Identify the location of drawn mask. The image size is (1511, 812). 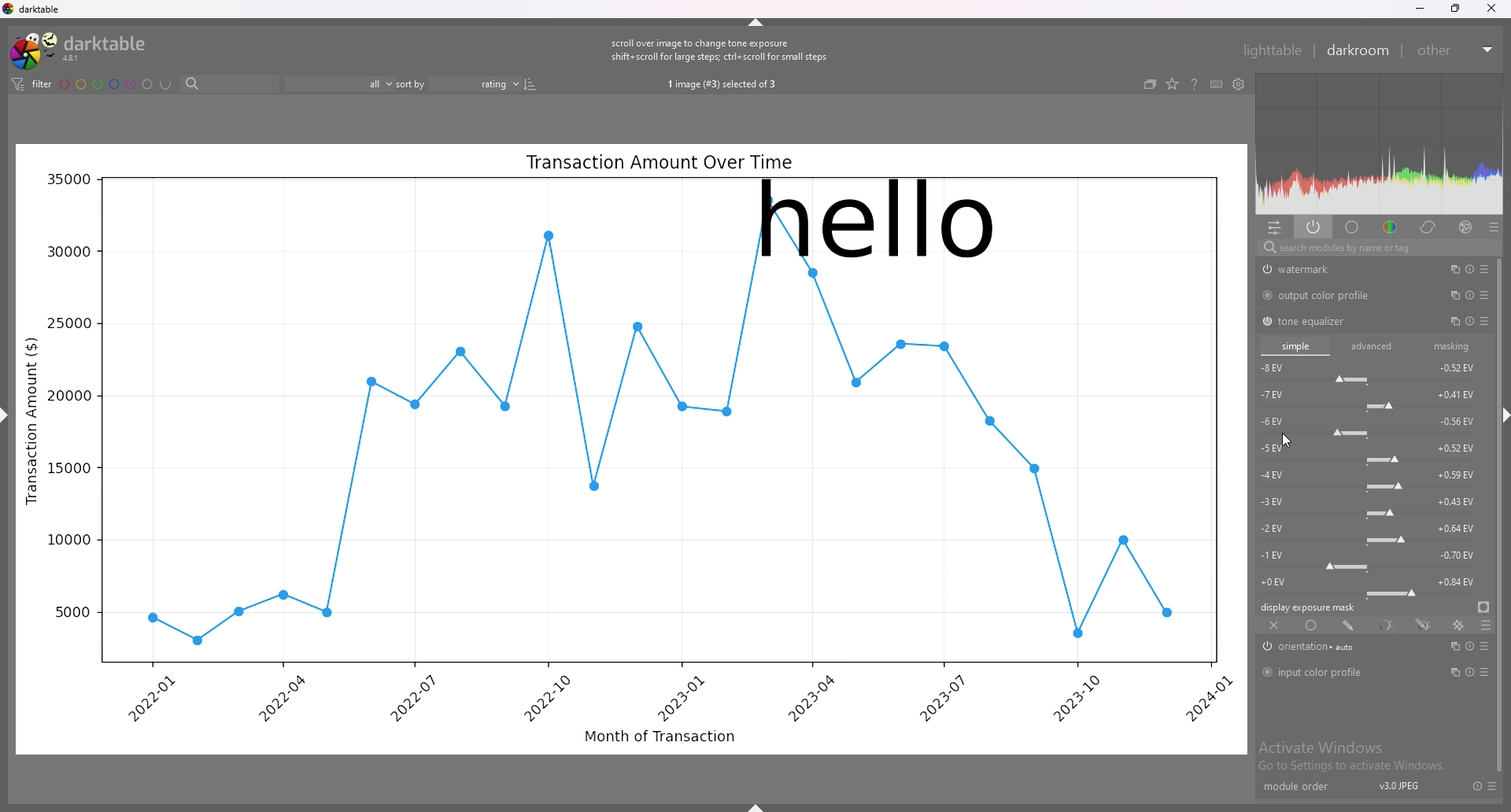
(1350, 626).